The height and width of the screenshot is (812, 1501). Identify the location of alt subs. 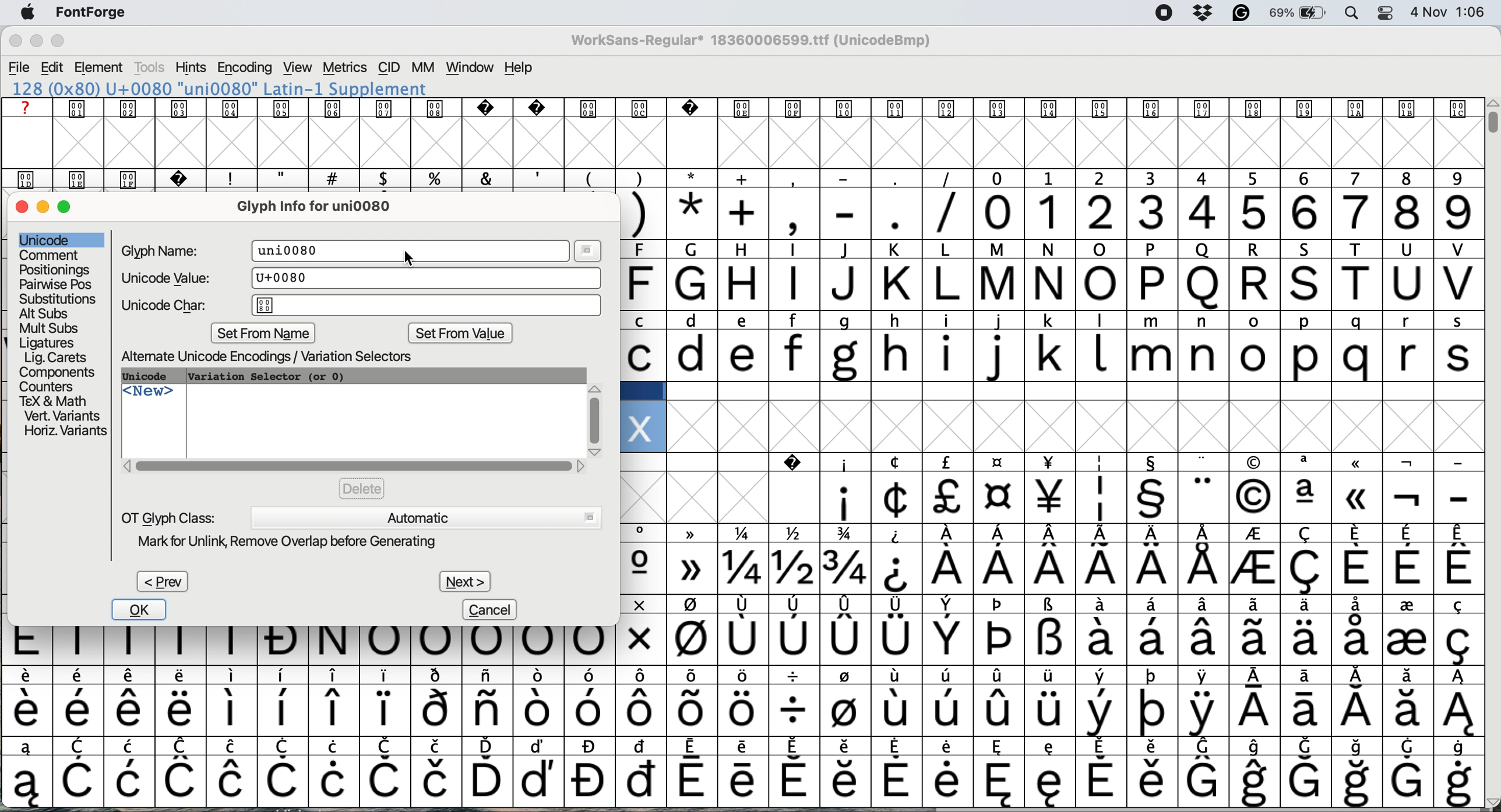
(46, 312).